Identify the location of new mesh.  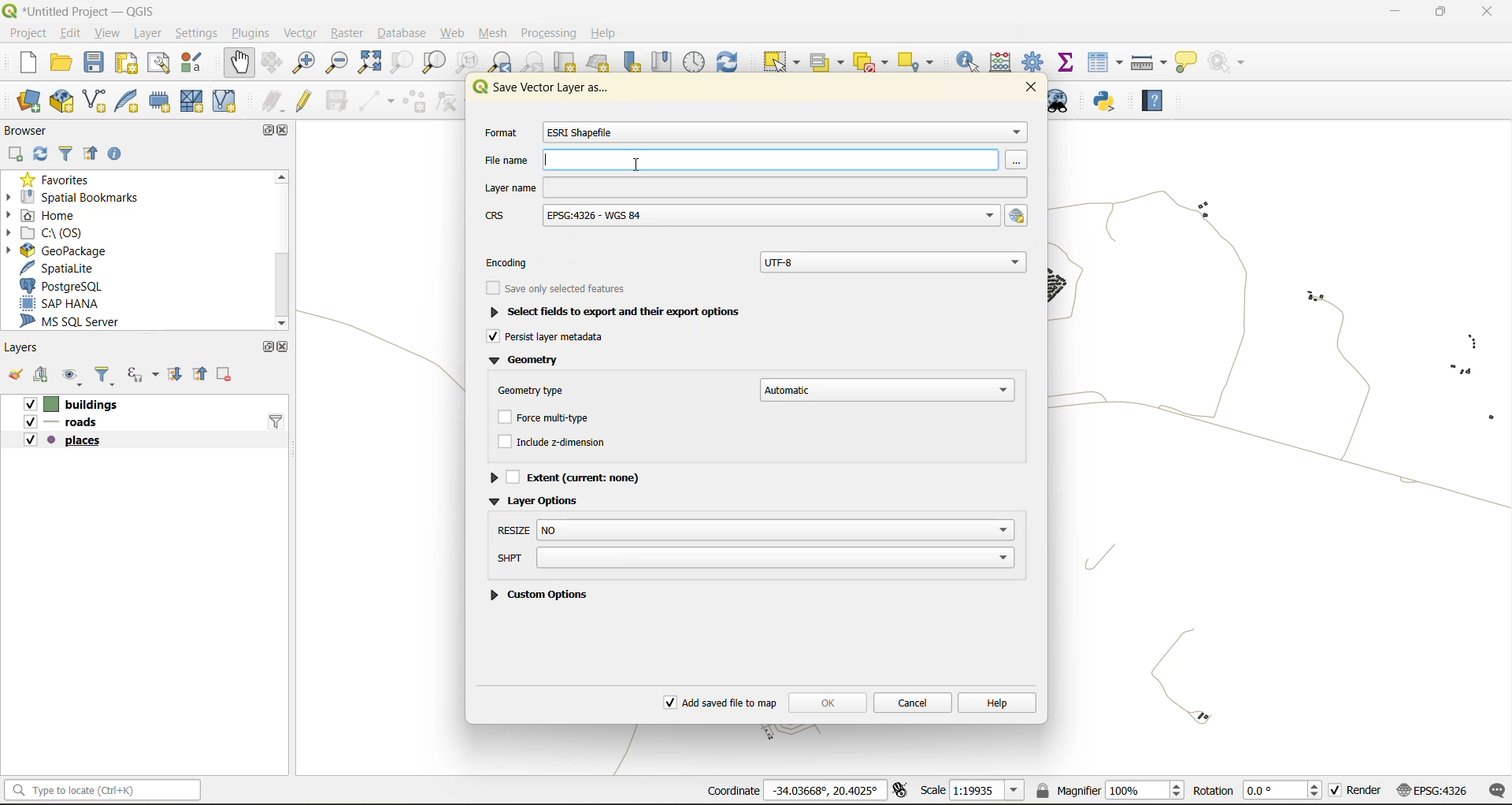
(191, 101).